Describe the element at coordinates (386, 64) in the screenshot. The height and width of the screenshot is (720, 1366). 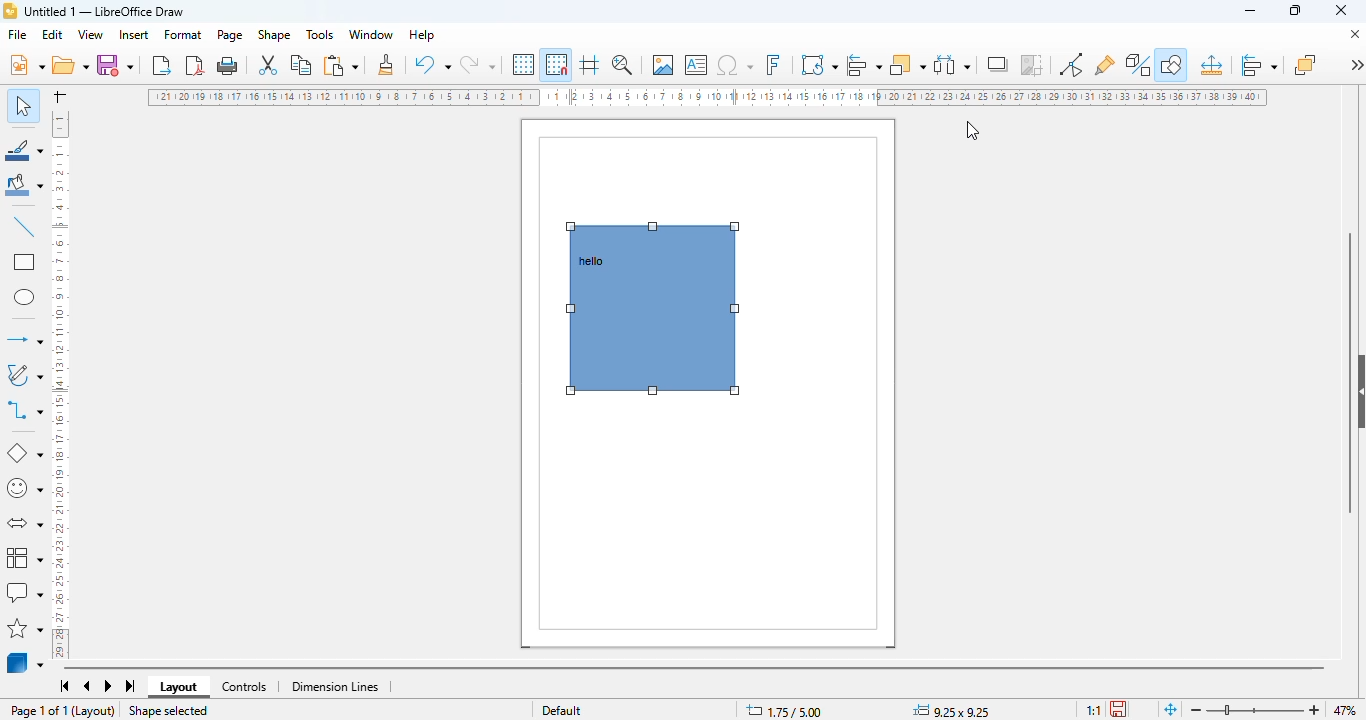
I see `clone formatting` at that location.